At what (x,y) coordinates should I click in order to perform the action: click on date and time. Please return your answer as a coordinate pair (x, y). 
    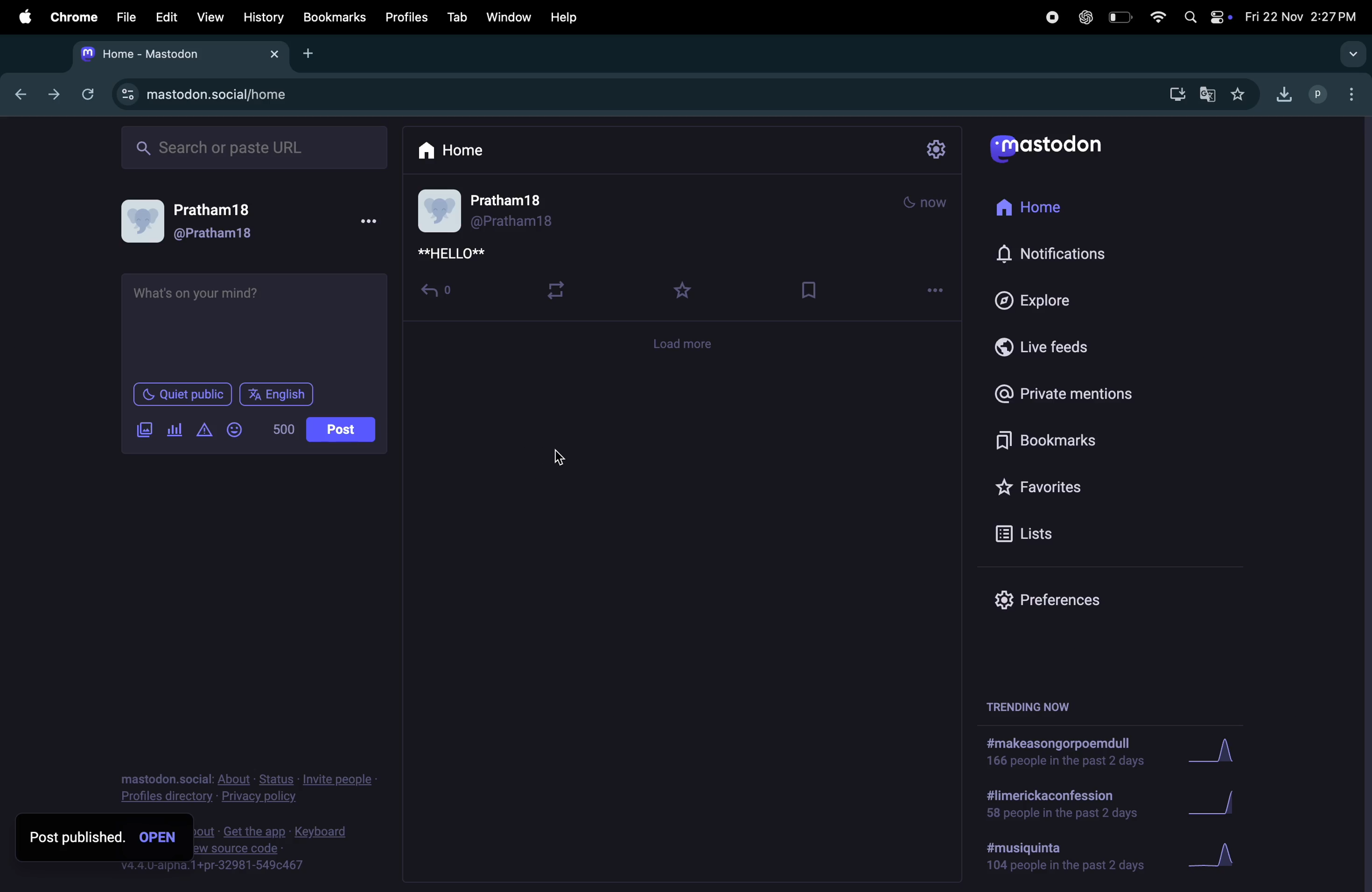
    Looking at the image, I should click on (1301, 16).